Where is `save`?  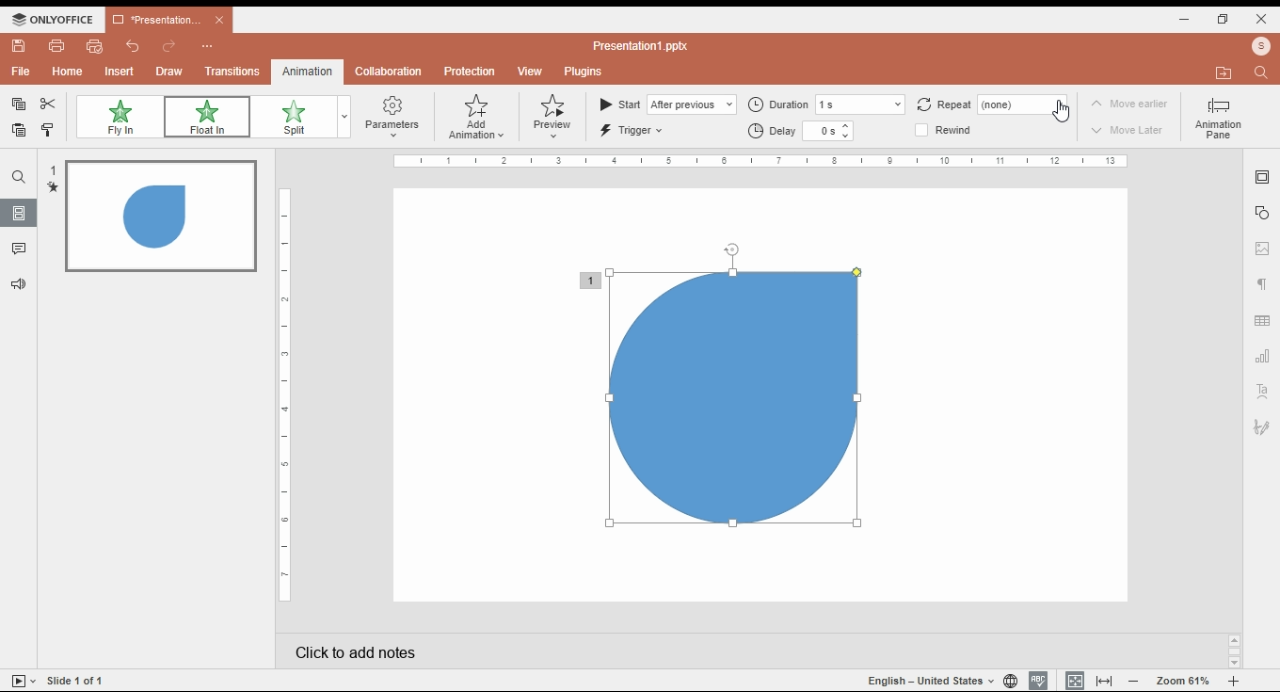
save is located at coordinates (19, 46).